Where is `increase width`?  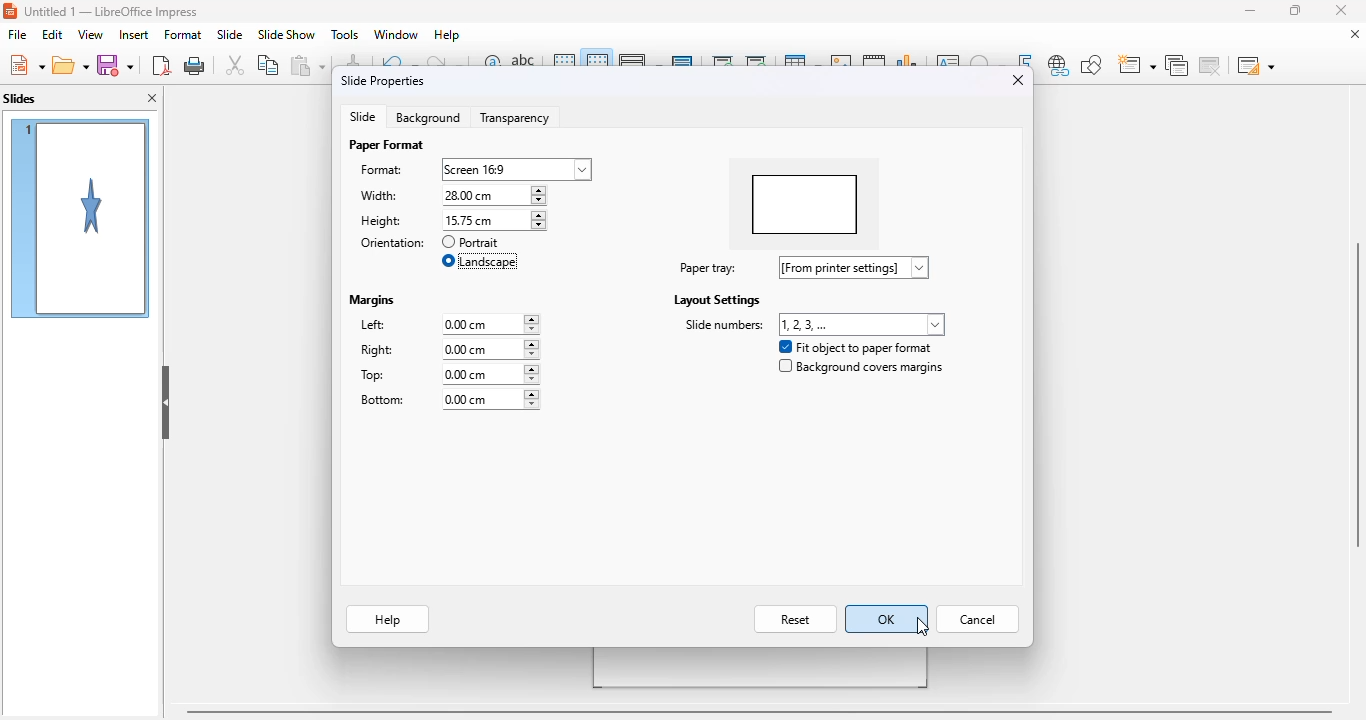
increase width is located at coordinates (538, 190).